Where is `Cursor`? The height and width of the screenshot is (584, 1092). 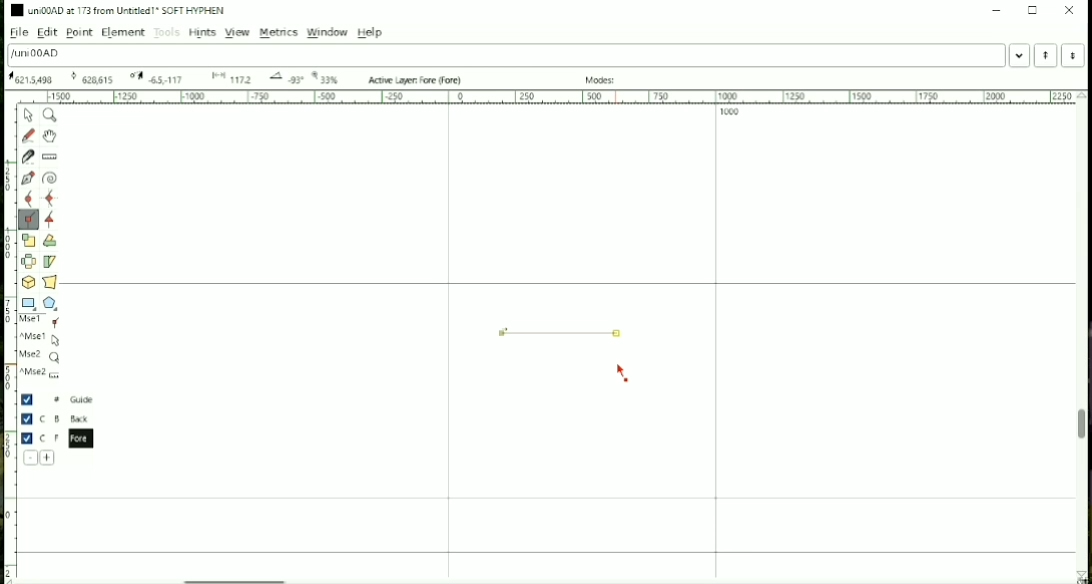 Cursor is located at coordinates (629, 375).